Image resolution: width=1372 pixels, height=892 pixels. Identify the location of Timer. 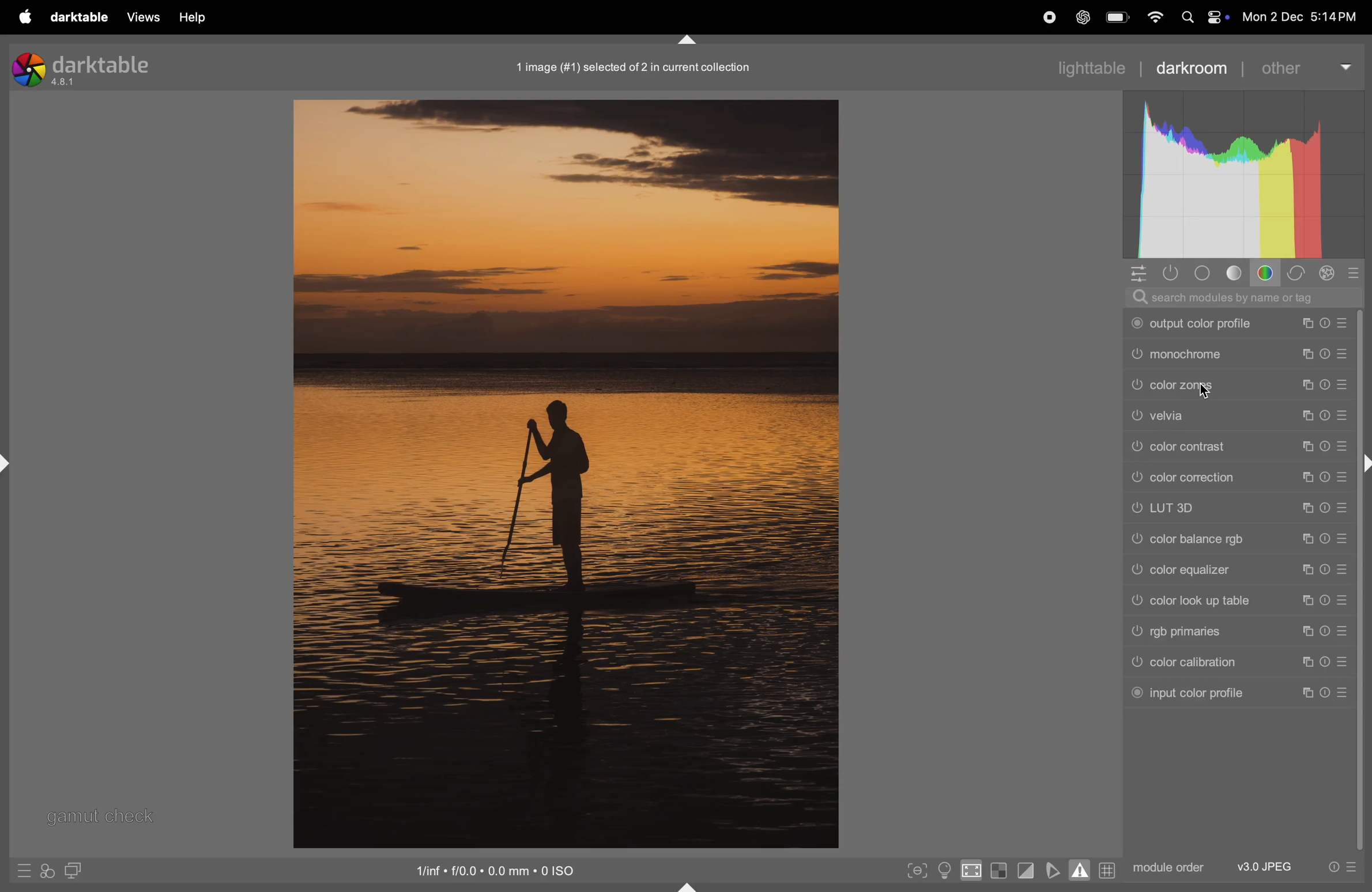
(1324, 445).